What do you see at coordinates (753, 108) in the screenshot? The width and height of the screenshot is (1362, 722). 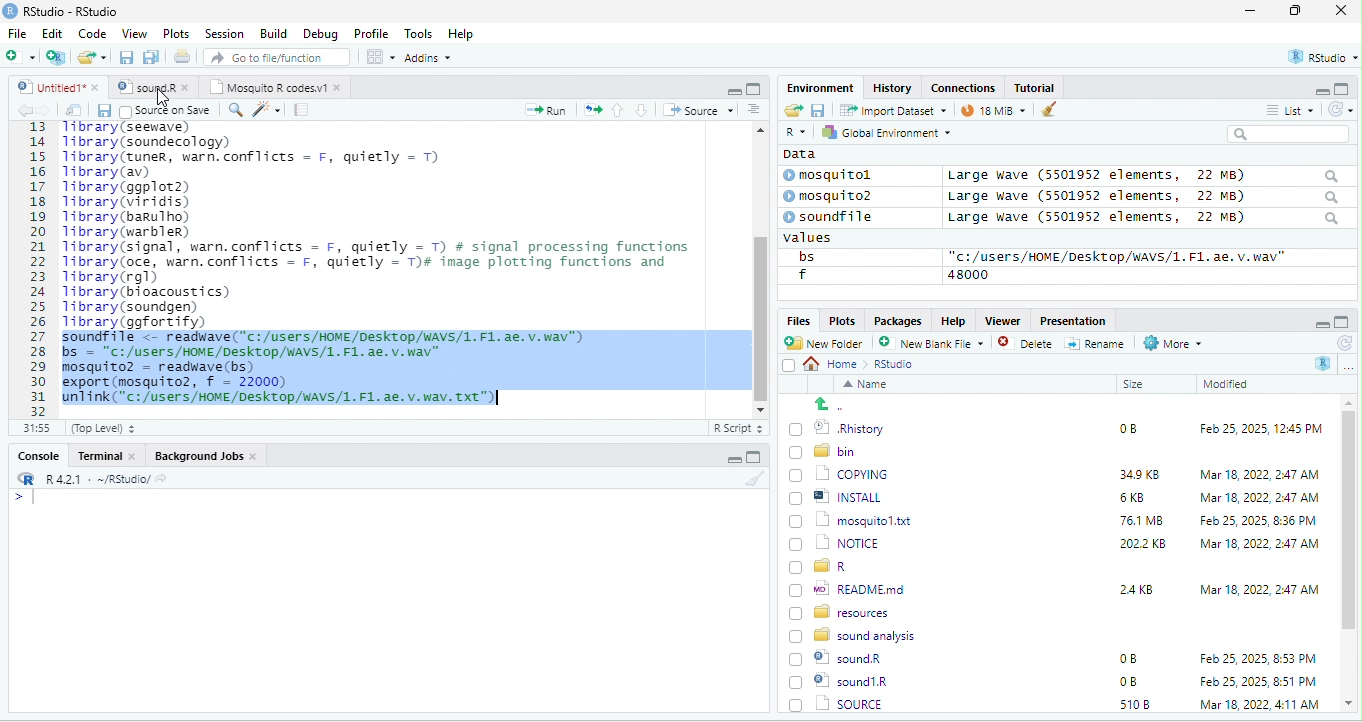 I see `sort` at bounding box center [753, 108].